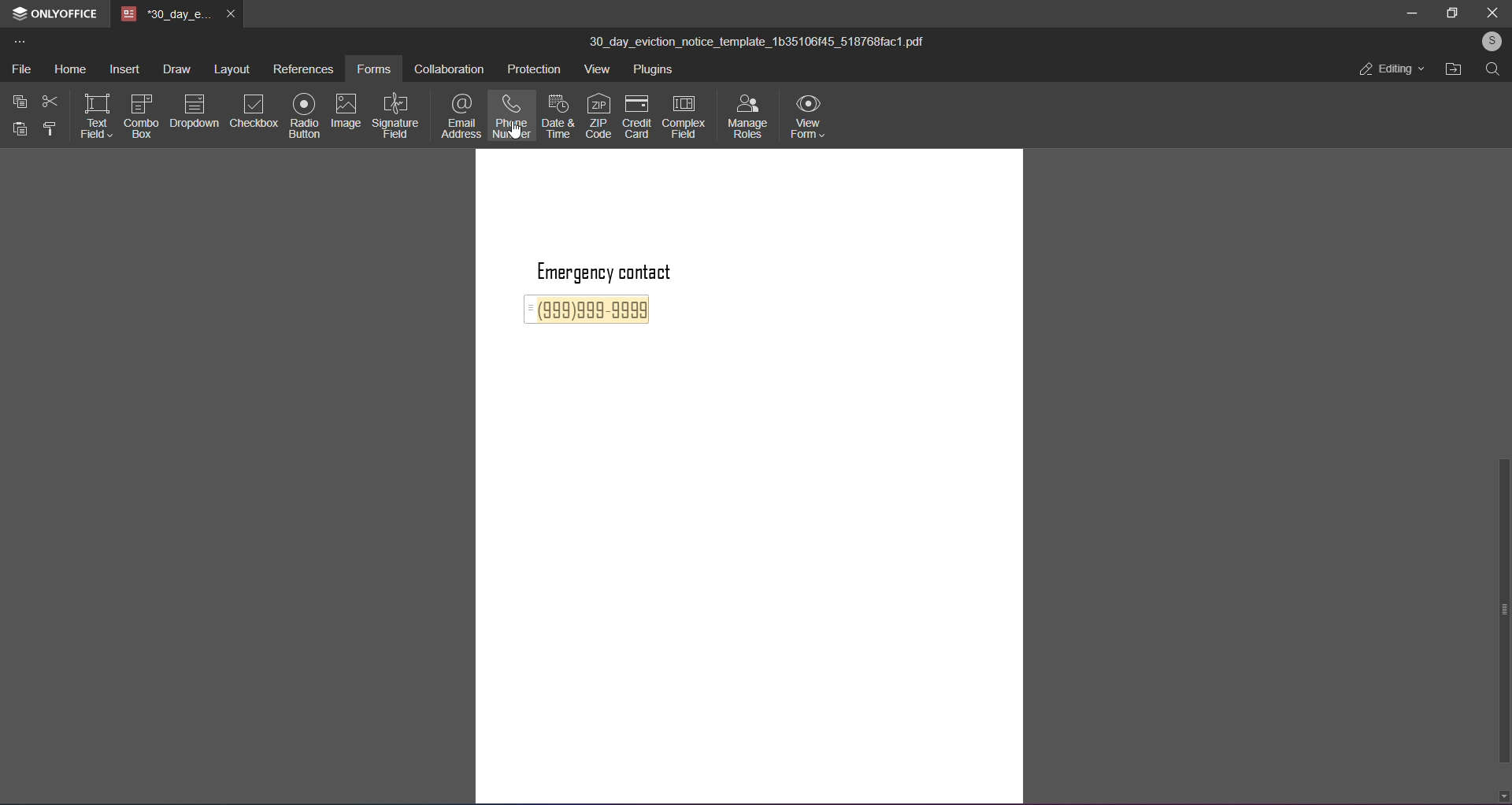  What do you see at coordinates (253, 112) in the screenshot?
I see `checkbox` at bounding box center [253, 112].